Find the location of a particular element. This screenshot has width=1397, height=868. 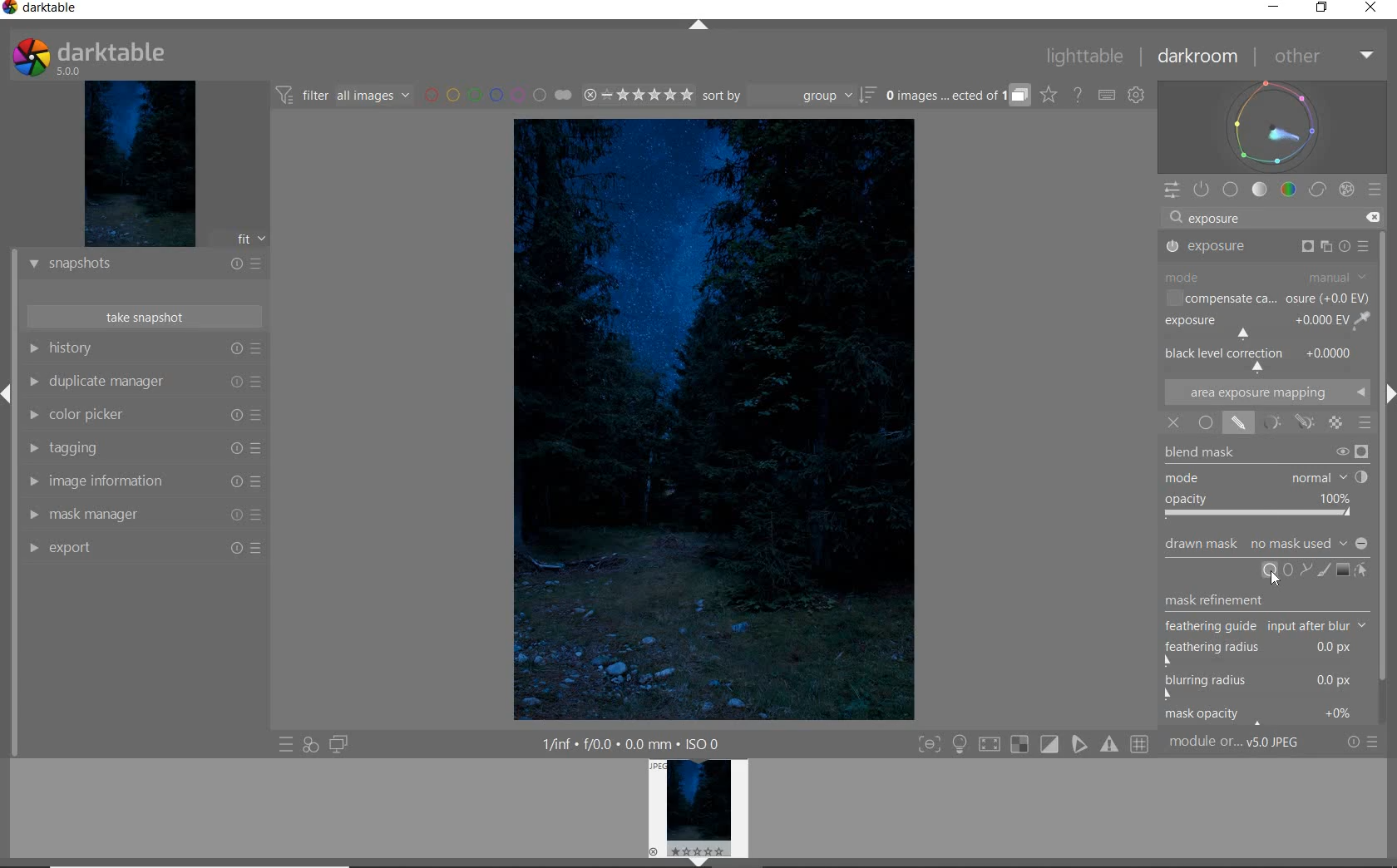

QUICK ACCESS TO PRESET is located at coordinates (287, 745).